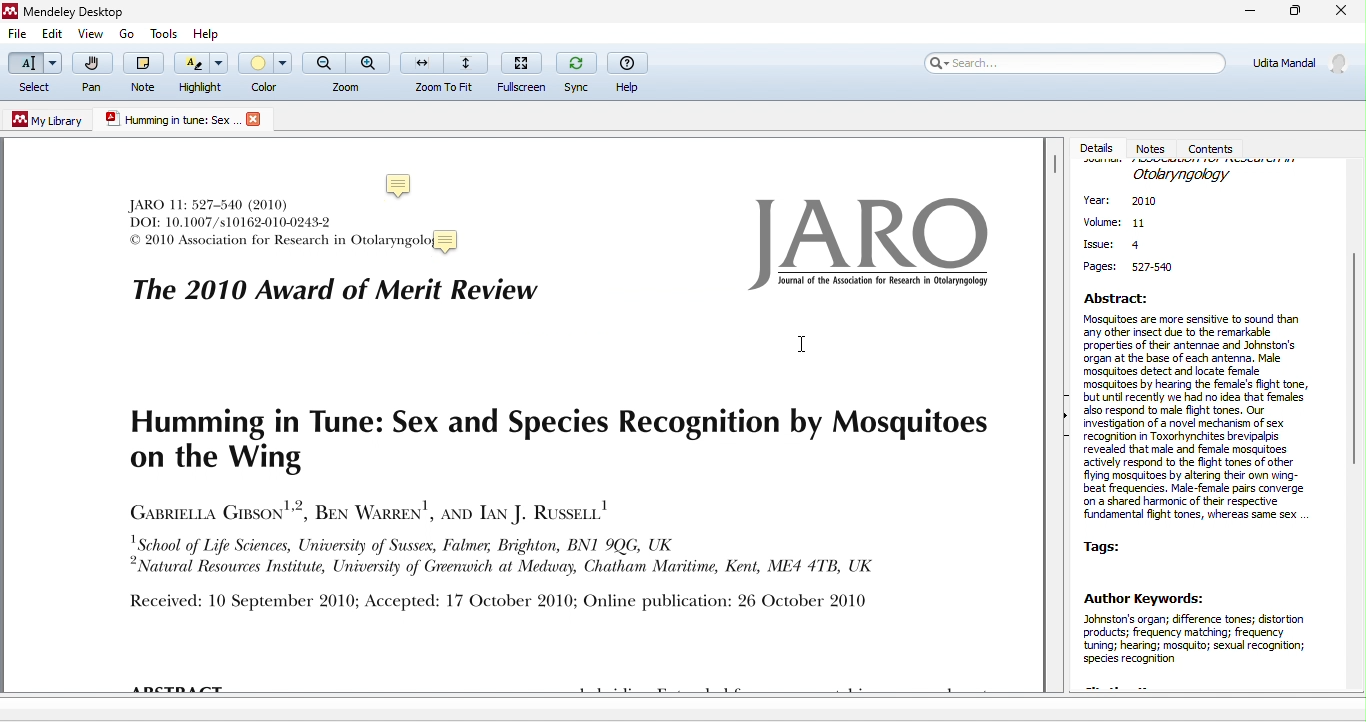  Describe the element at coordinates (49, 120) in the screenshot. I see `my library` at that location.